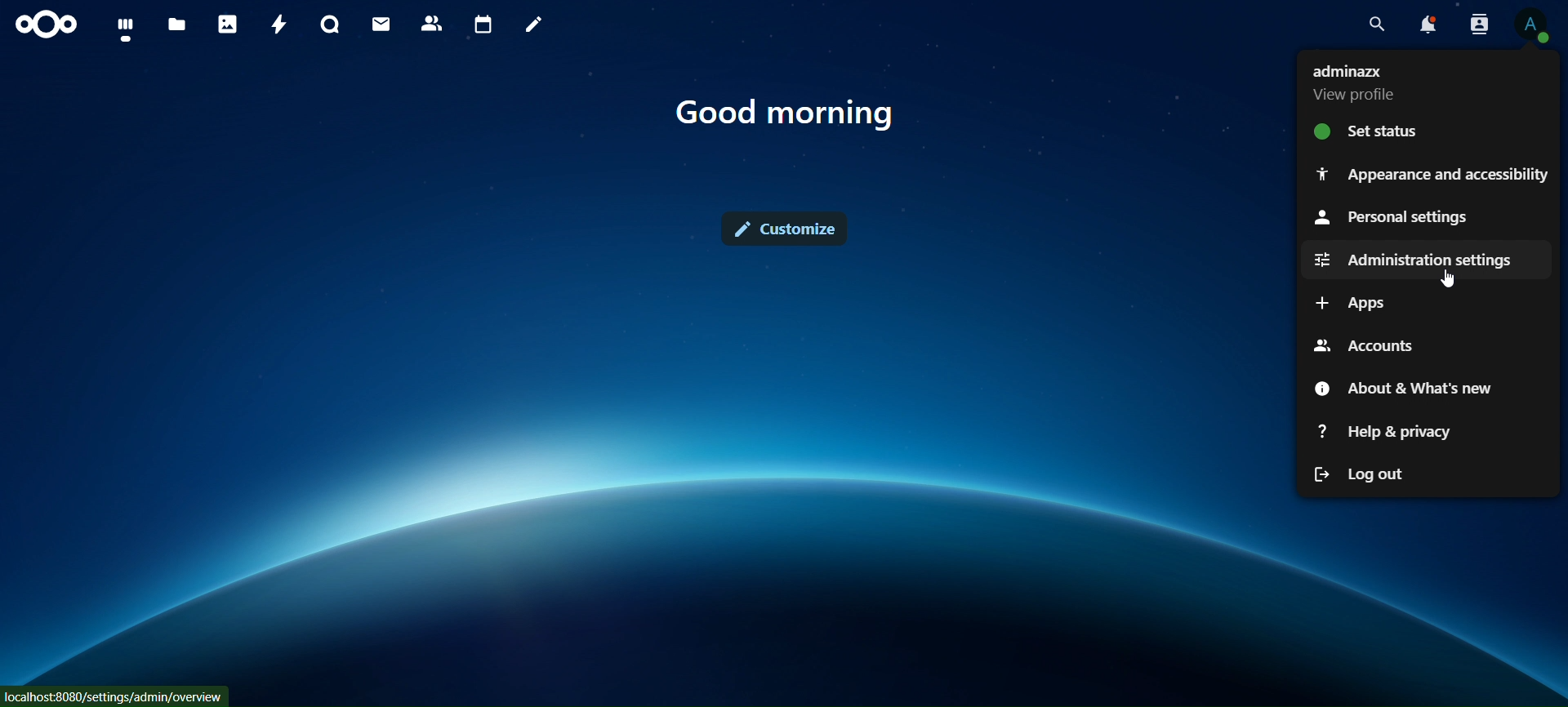 The width and height of the screenshot is (1568, 707). What do you see at coordinates (1391, 216) in the screenshot?
I see `personal settings` at bounding box center [1391, 216].